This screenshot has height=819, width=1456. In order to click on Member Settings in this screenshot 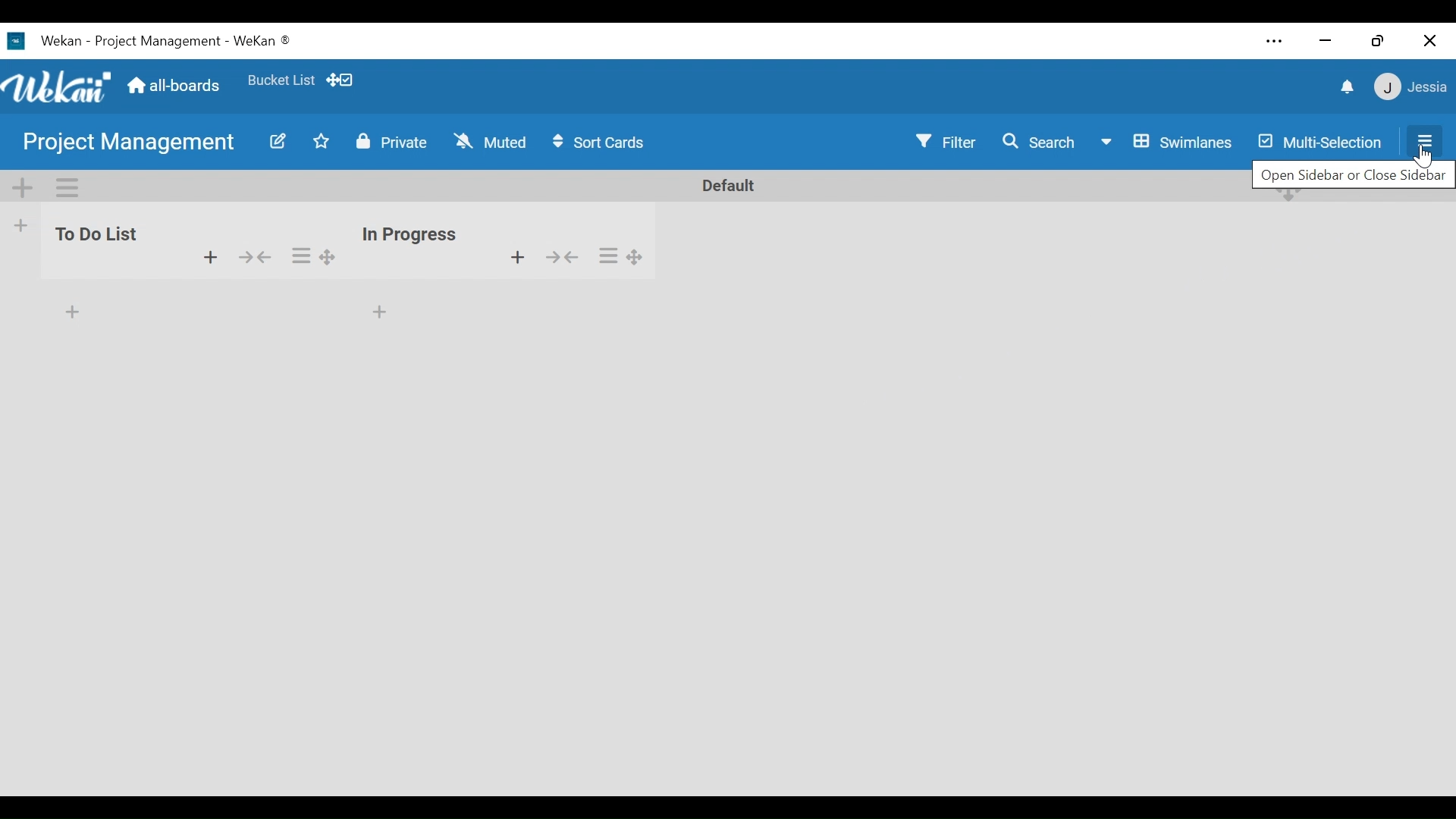, I will do `click(1412, 87)`.